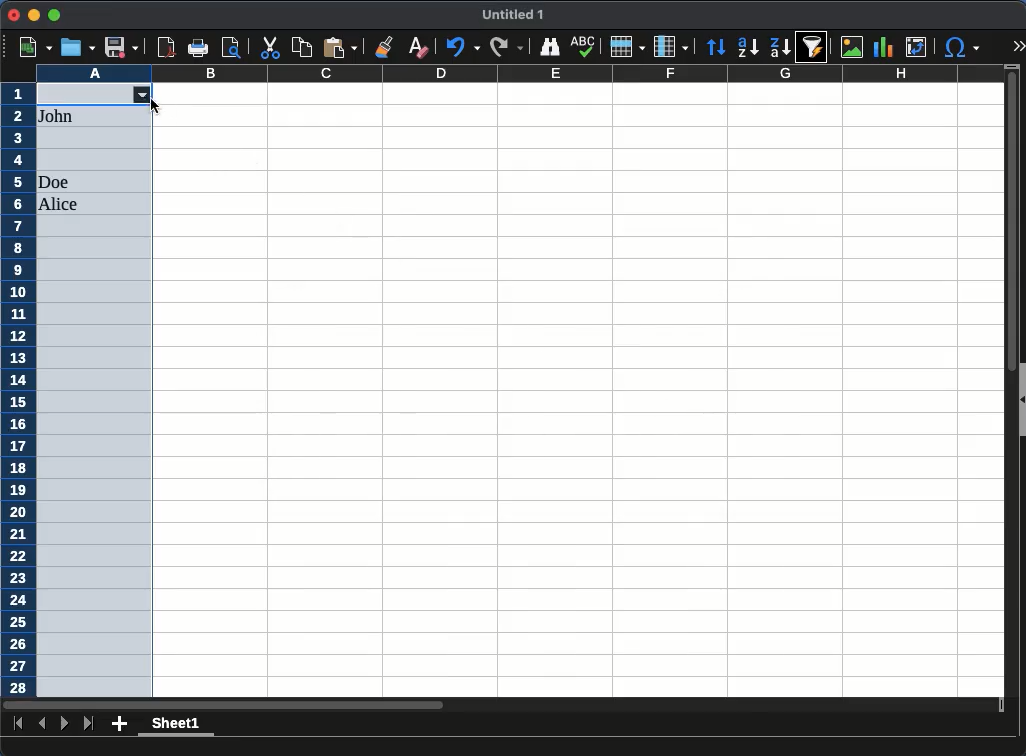 Image resolution: width=1026 pixels, height=756 pixels. What do you see at coordinates (120, 723) in the screenshot?
I see `add` at bounding box center [120, 723].